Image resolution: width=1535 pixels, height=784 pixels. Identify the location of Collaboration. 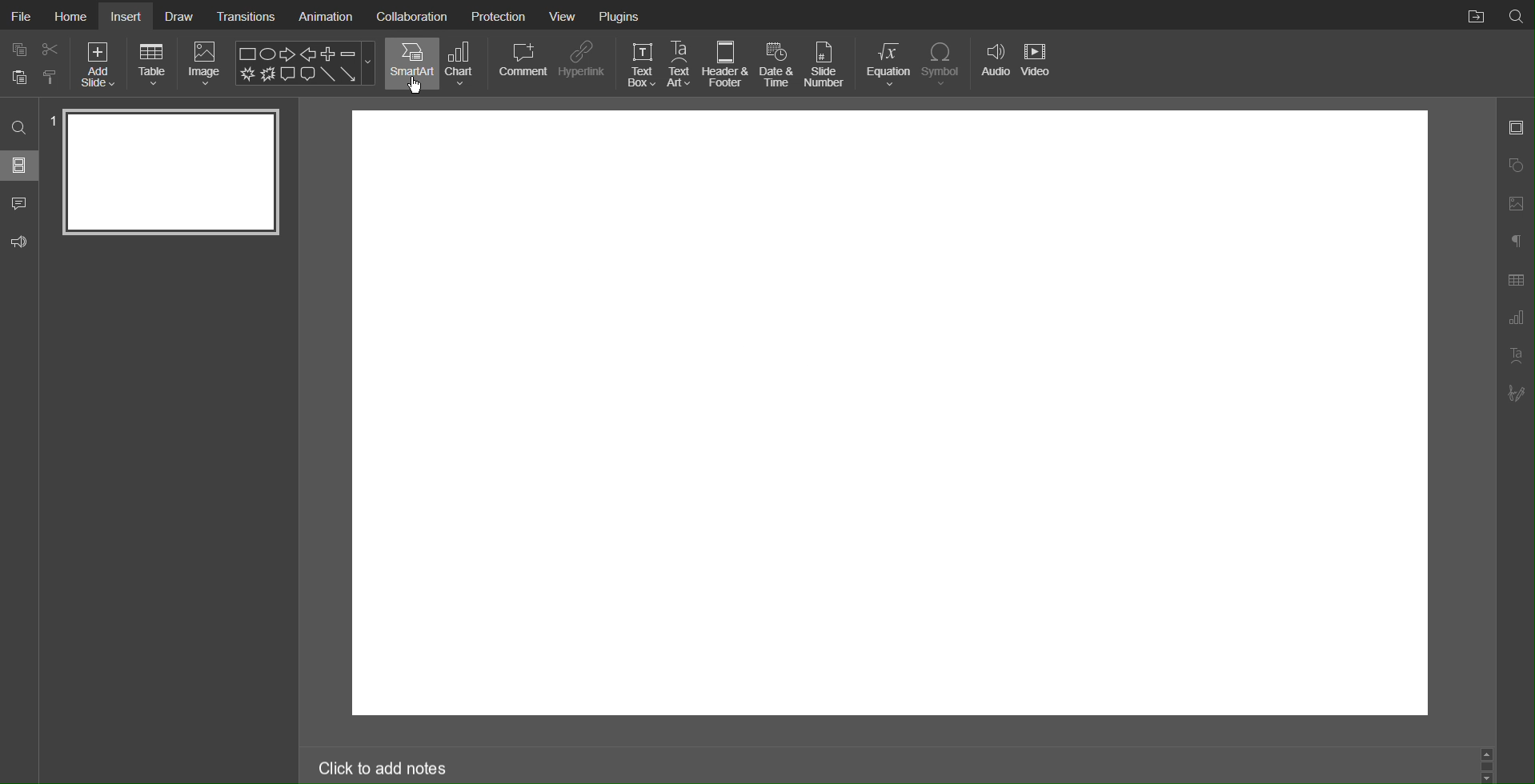
(412, 15).